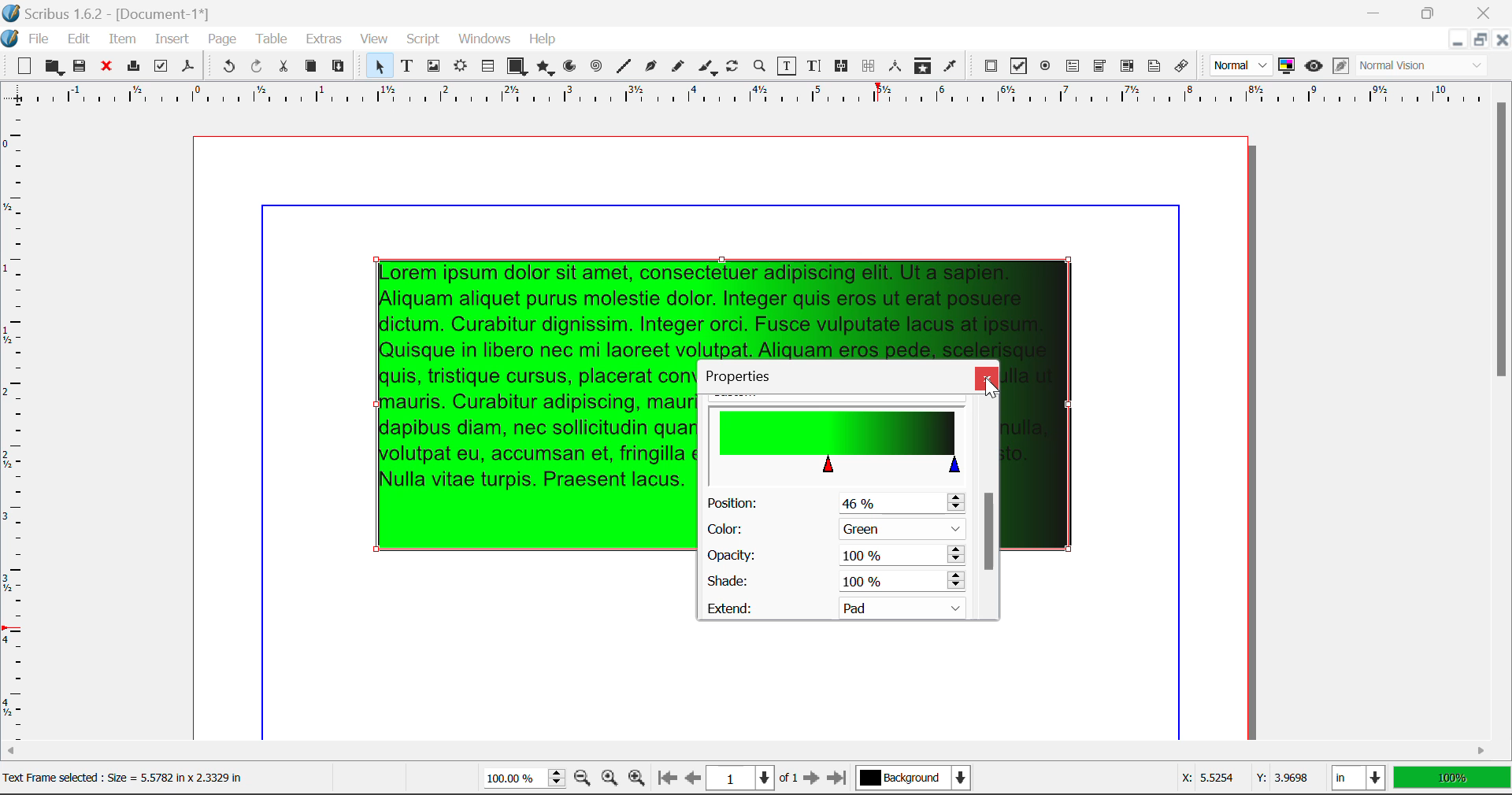 The height and width of the screenshot is (795, 1512). What do you see at coordinates (1503, 411) in the screenshot?
I see `Scroll Bar` at bounding box center [1503, 411].